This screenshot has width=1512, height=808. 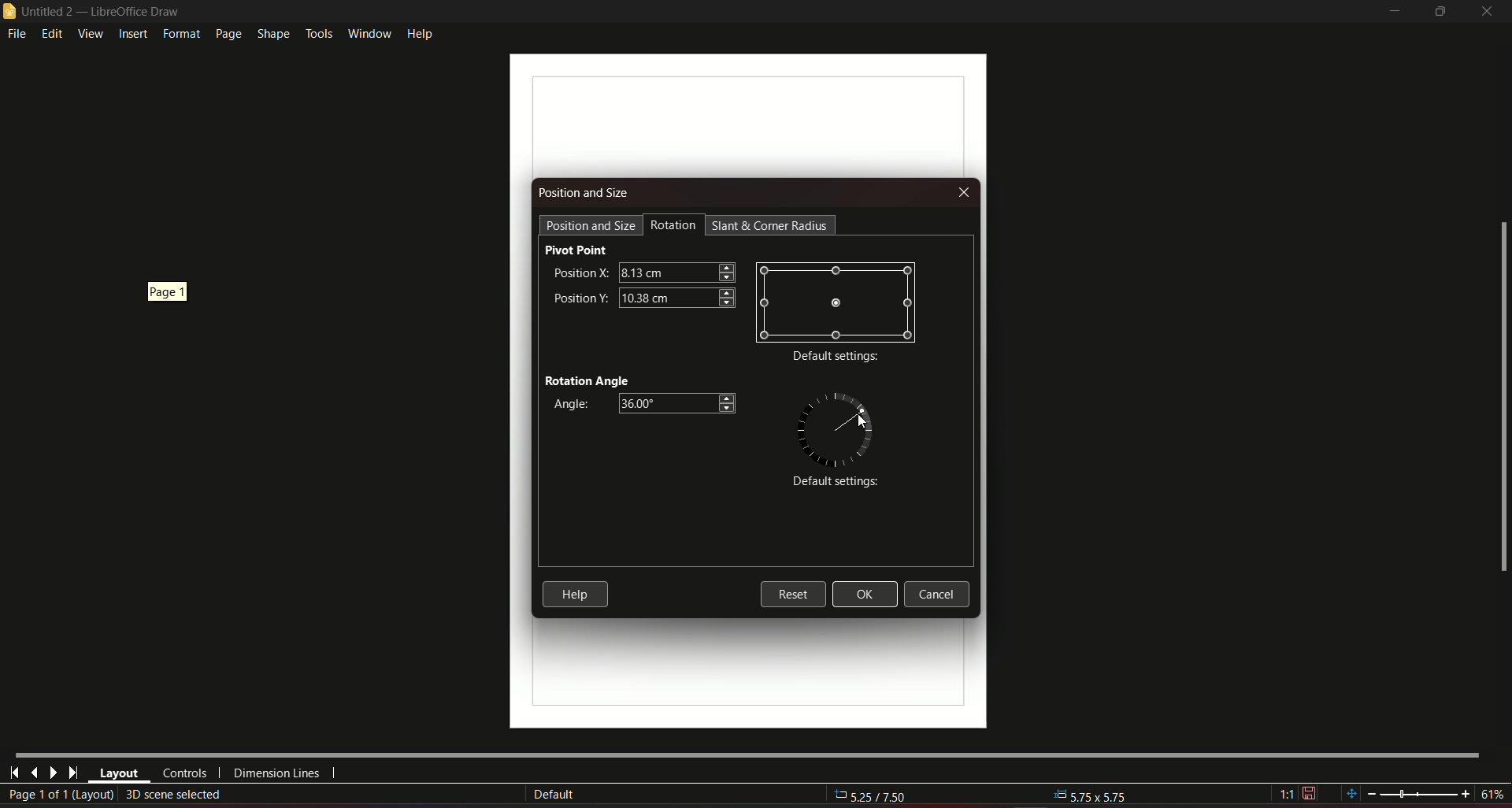 What do you see at coordinates (880, 797) in the screenshot?
I see `5.25/7.50` at bounding box center [880, 797].